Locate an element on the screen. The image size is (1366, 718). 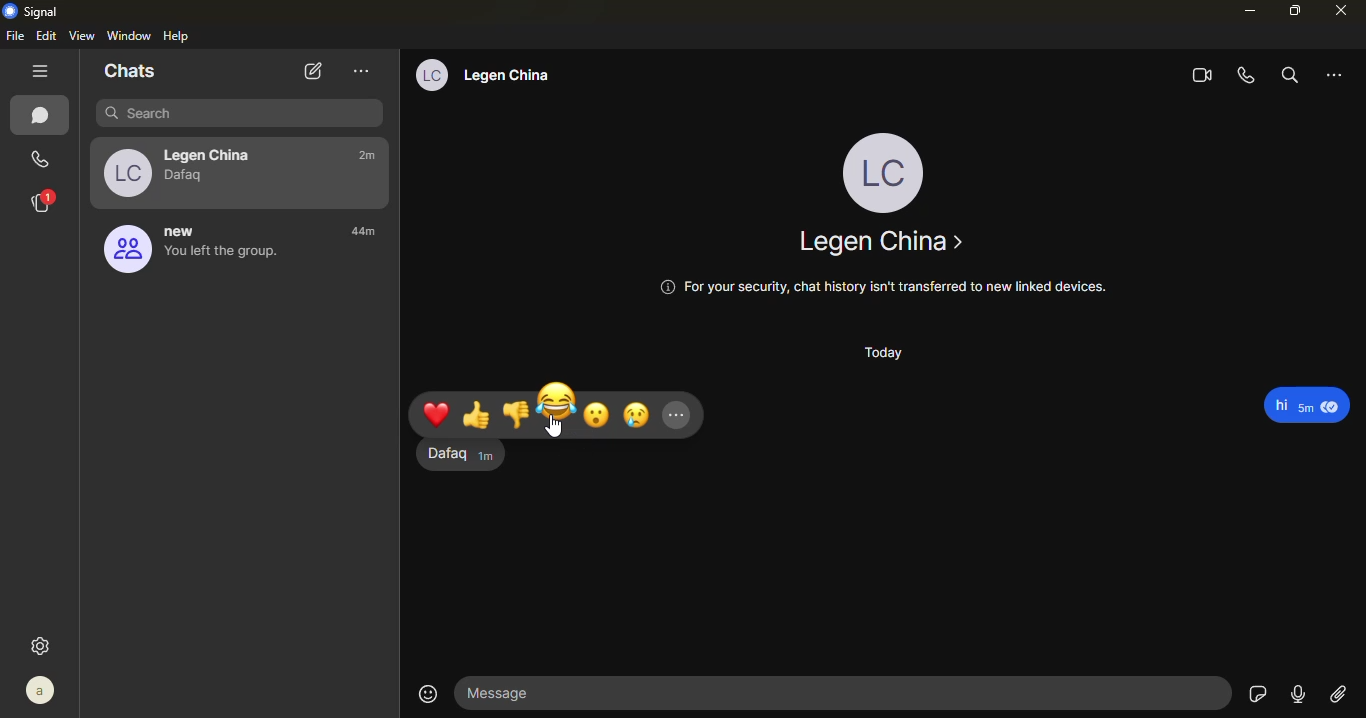
heart is located at coordinates (439, 415).